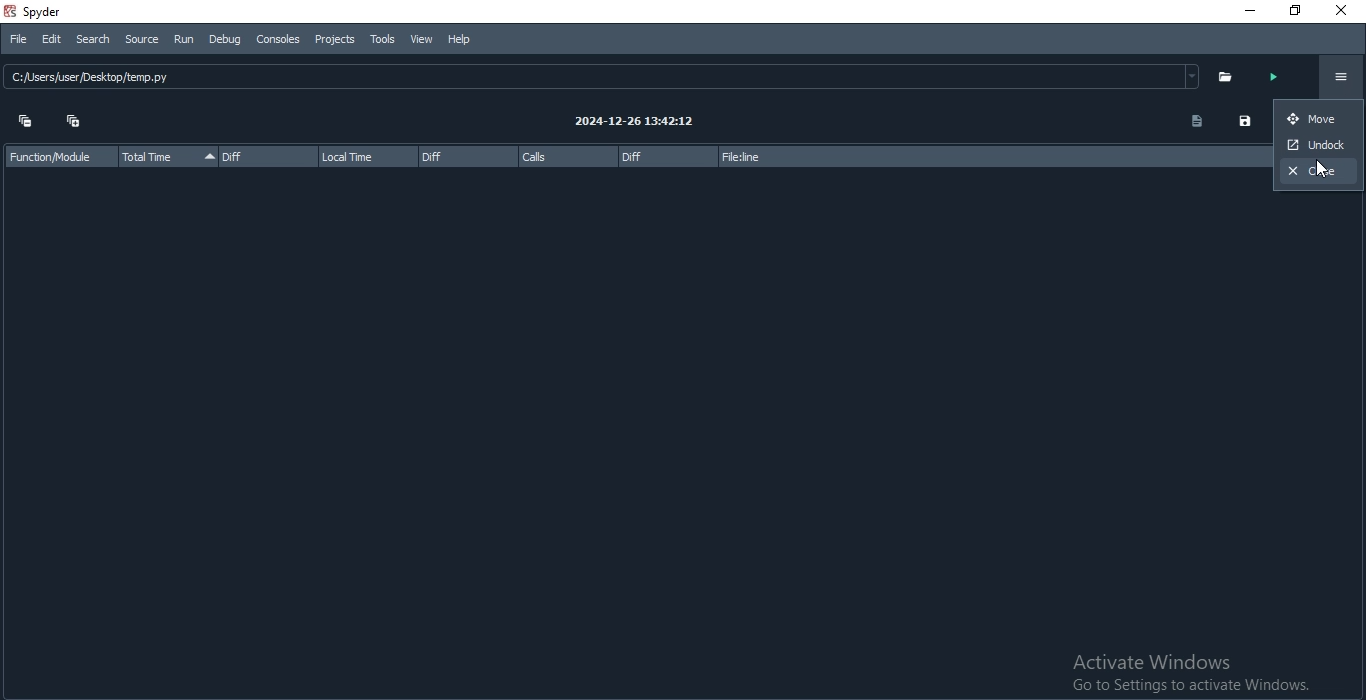  I want to click on folder, so click(1220, 78).